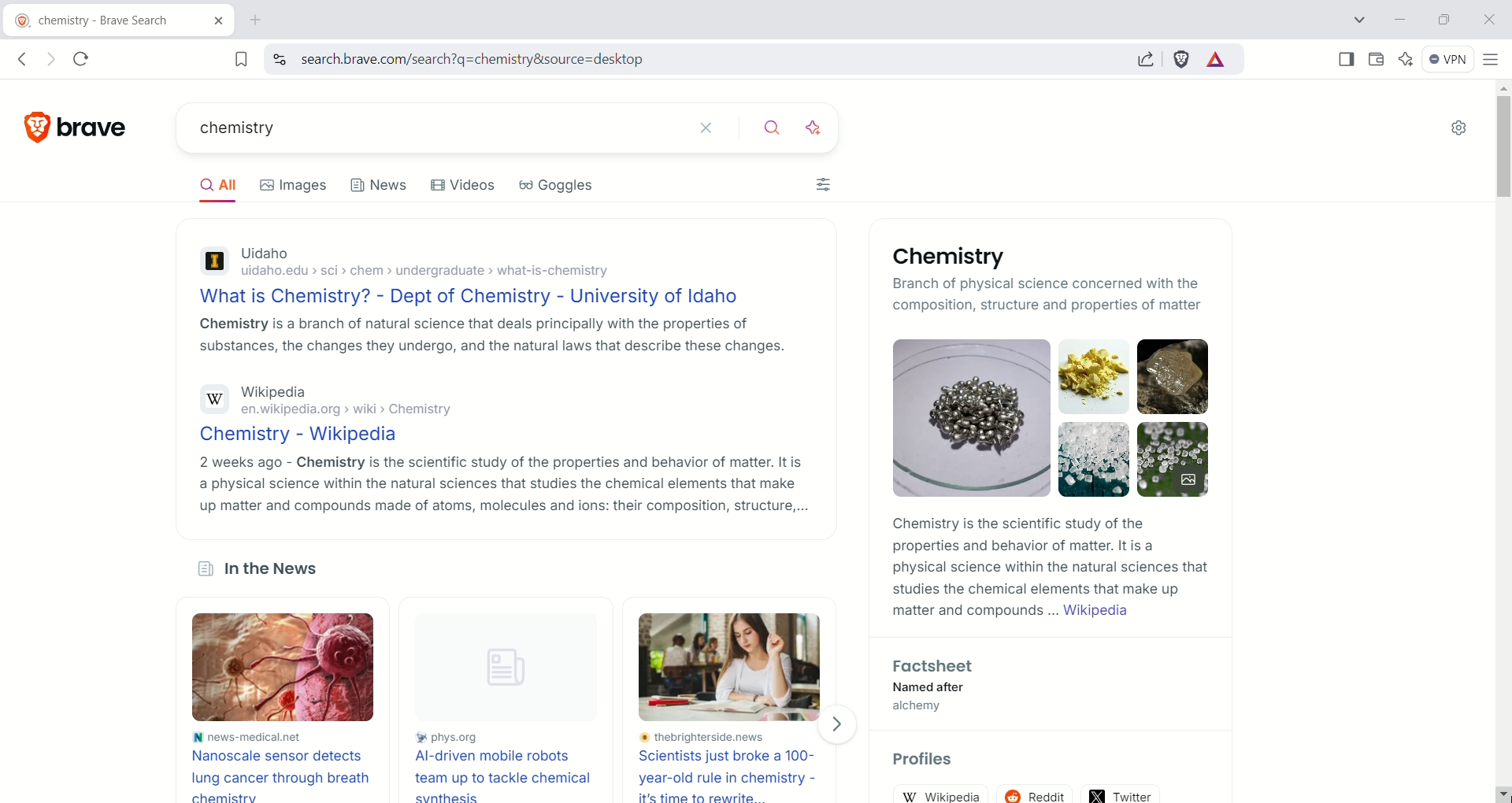 Image resolution: width=1512 pixels, height=803 pixels. Describe the element at coordinates (380, 190) in the screenshot. I see `News` at that location.